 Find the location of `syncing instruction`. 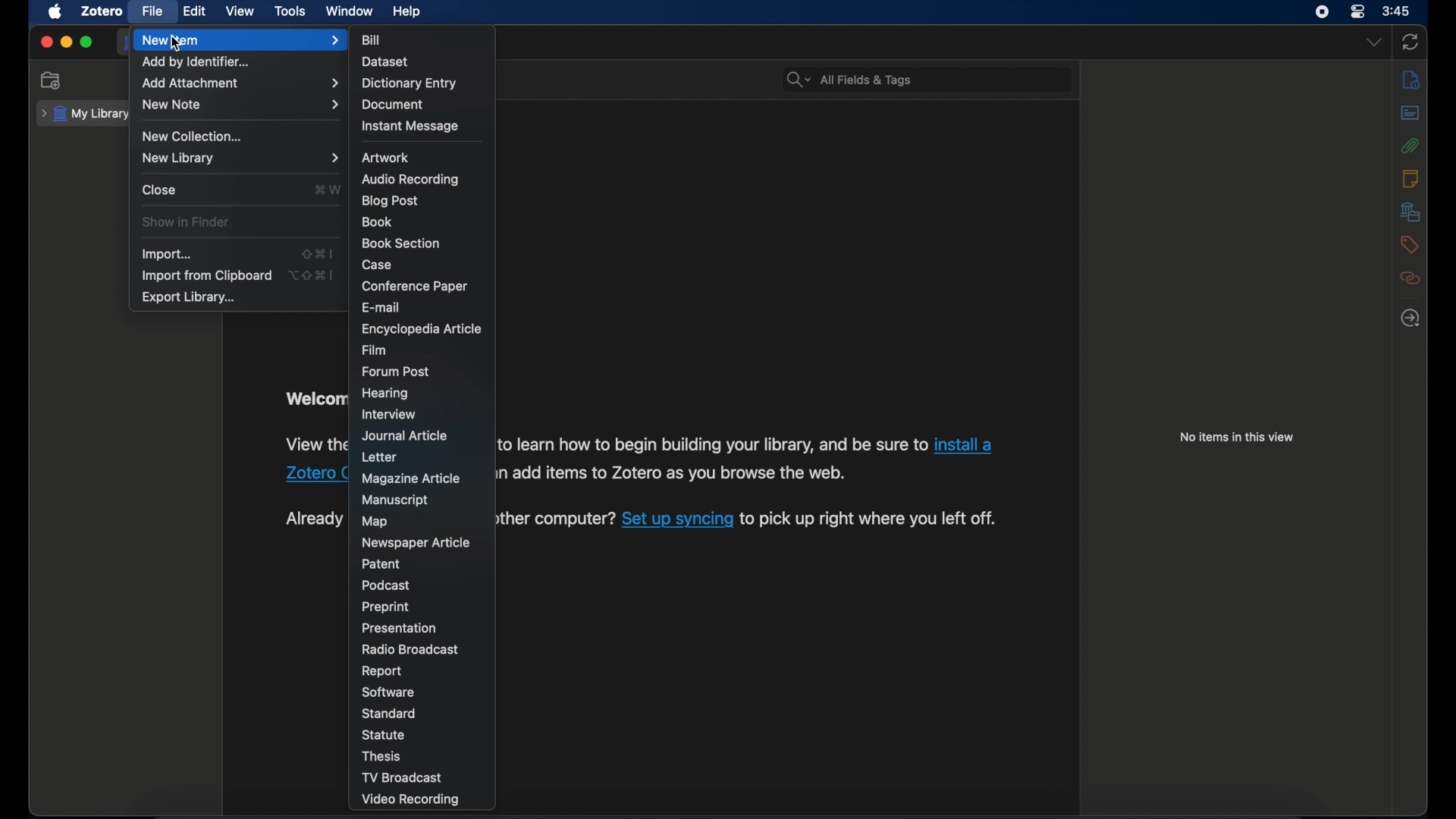

syncing instruction is located at coordinates (747, 520).